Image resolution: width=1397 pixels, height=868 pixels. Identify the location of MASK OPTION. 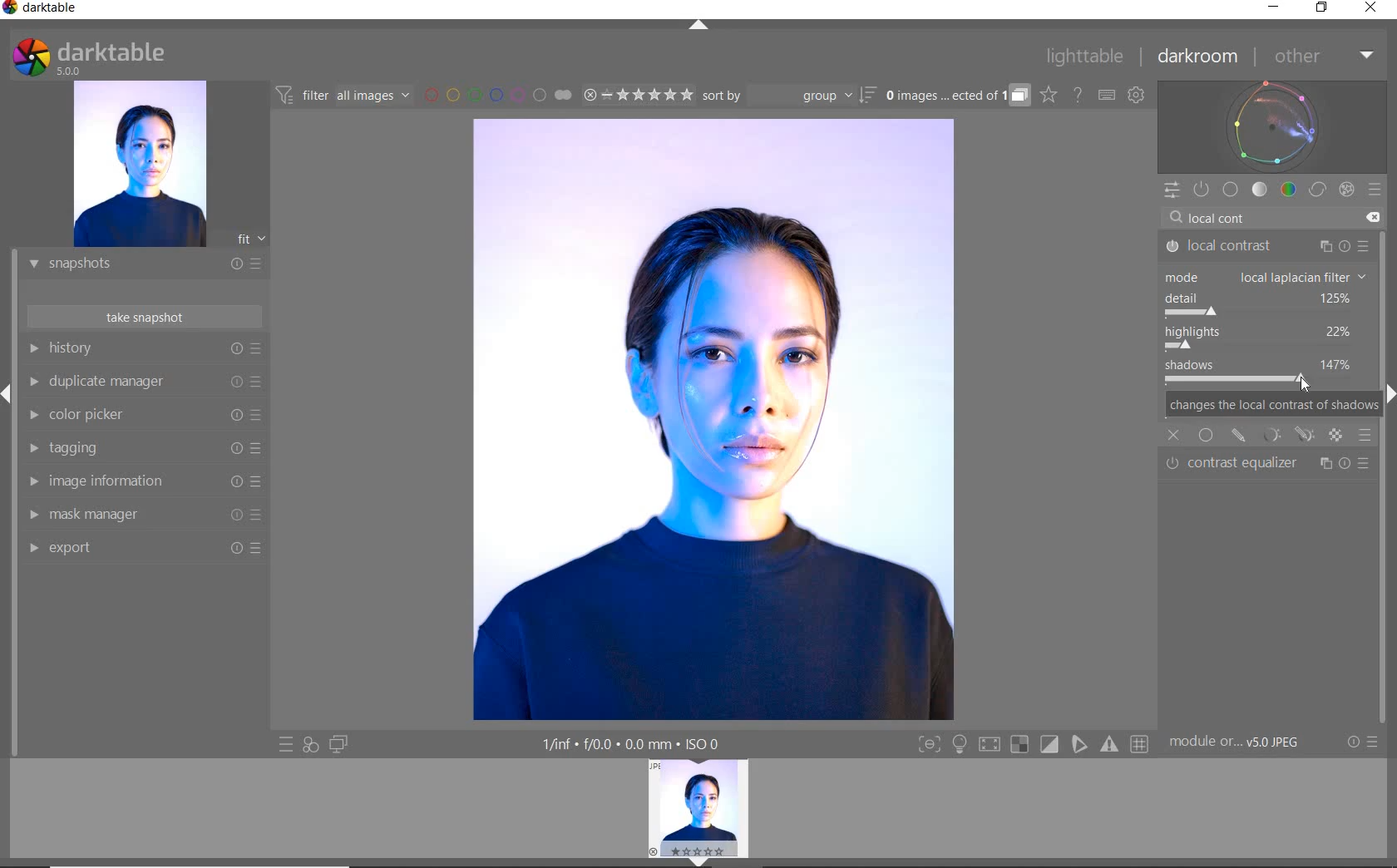
(1239, 435).